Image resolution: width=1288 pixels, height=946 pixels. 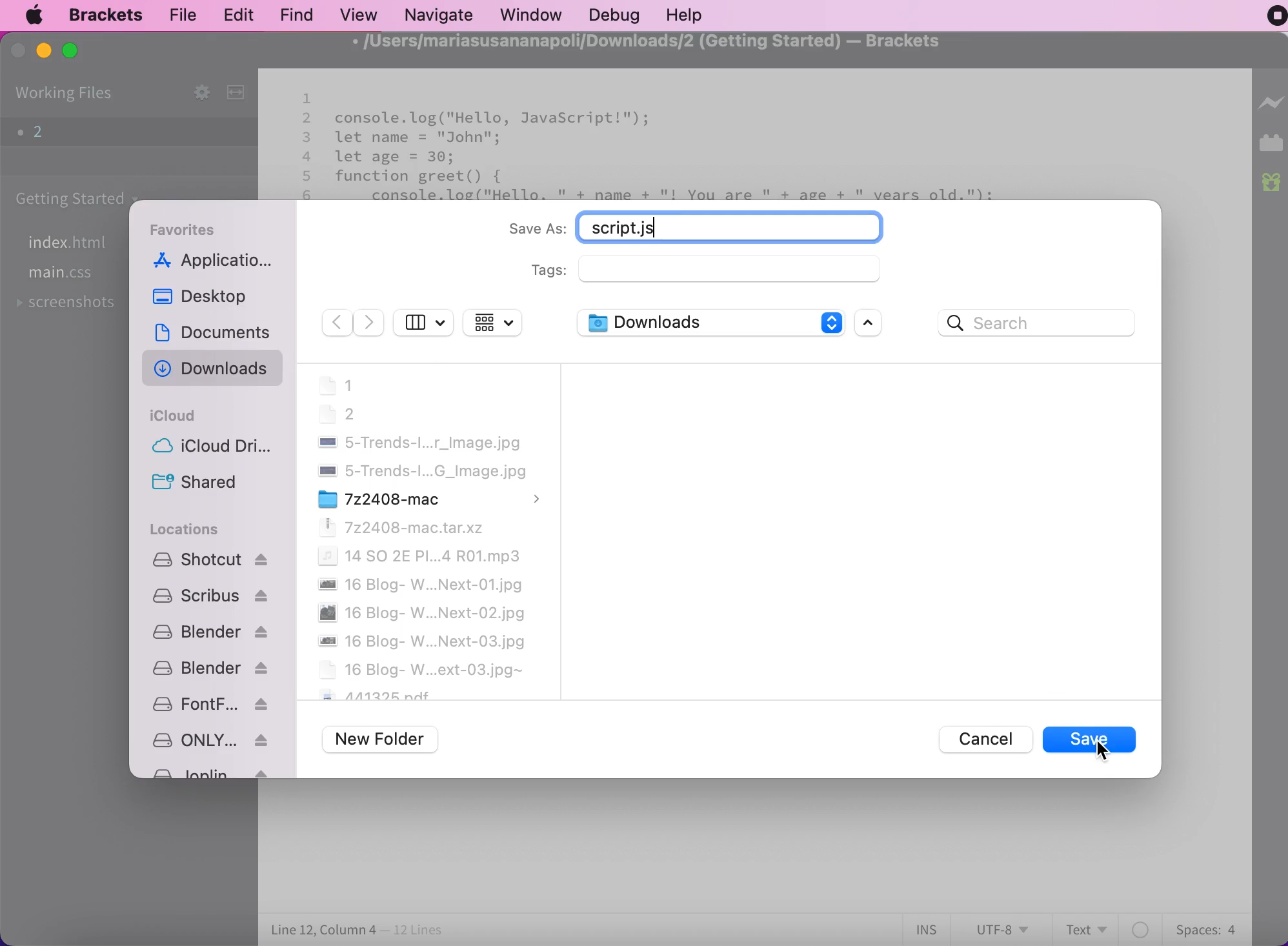 What do you see at coordinates (307, 196) in the screenshot?
I see `6` at bounding box center [307, 196].